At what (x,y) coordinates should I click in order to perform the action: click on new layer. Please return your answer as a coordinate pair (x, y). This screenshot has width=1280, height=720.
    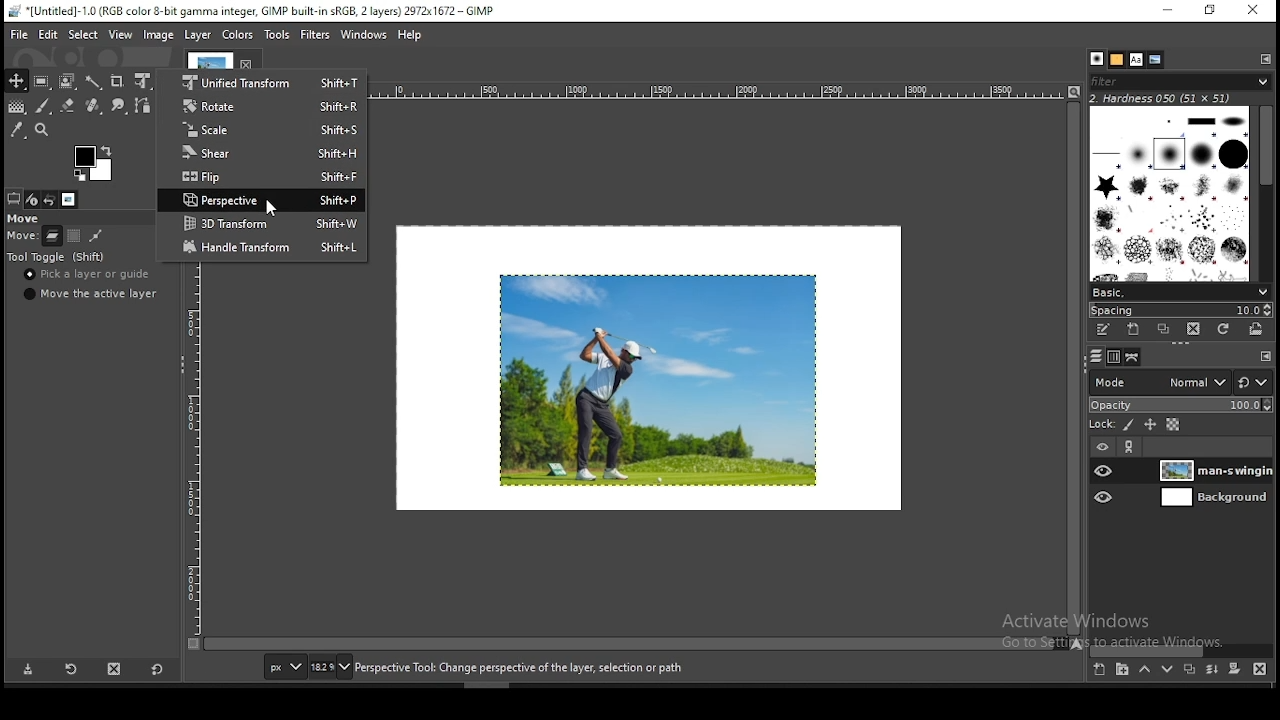
    Looking at the image, I should click on (1098, 669).